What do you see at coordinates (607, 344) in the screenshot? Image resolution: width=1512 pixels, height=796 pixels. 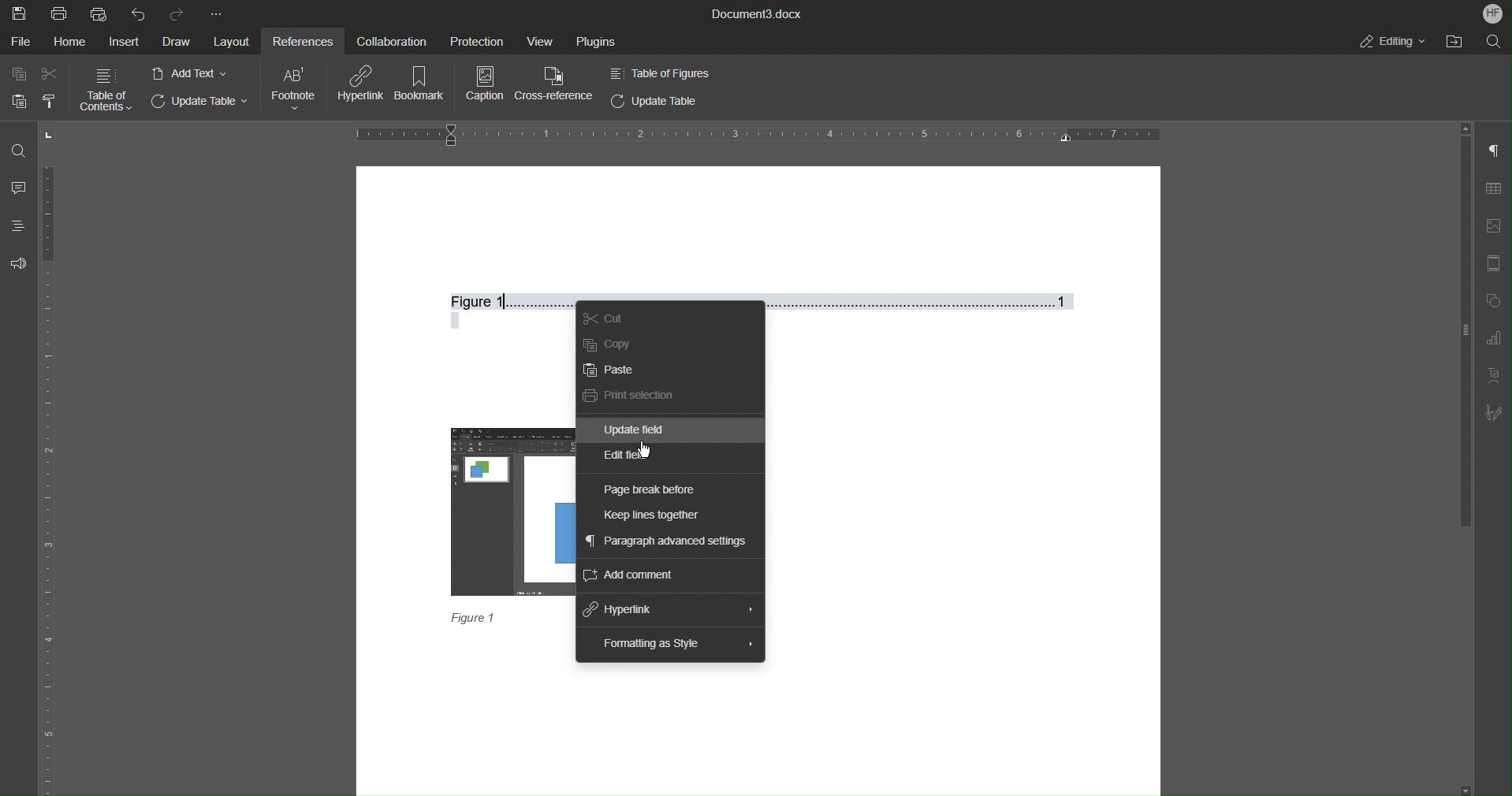 I see `Copy` at bounding box center [607, 344].